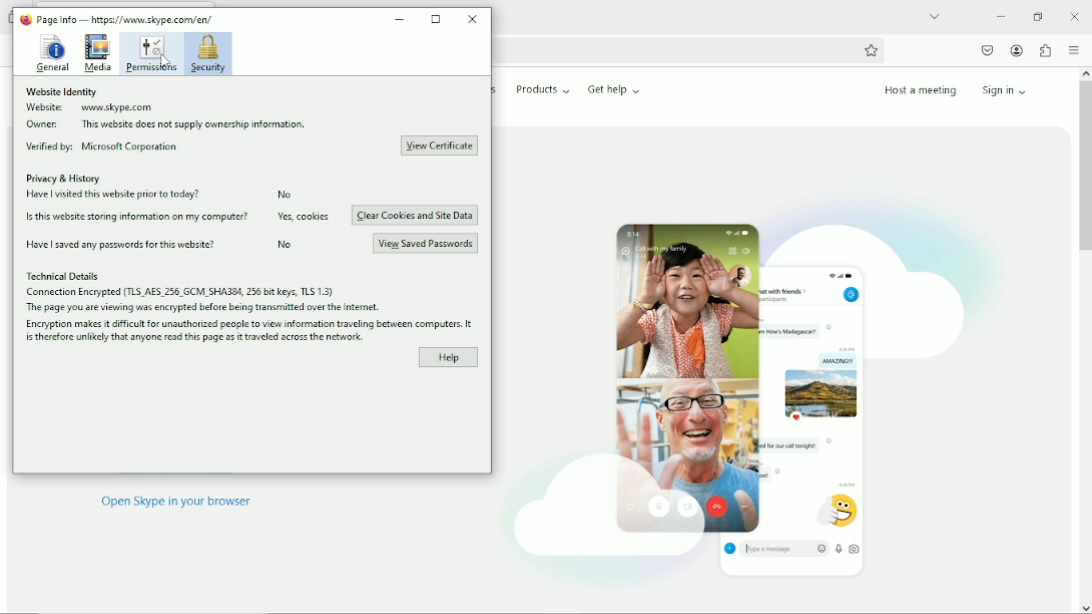 The height and width of the screenshot is (614, 1092). I want to click on open application menu, so click(1073, 51).